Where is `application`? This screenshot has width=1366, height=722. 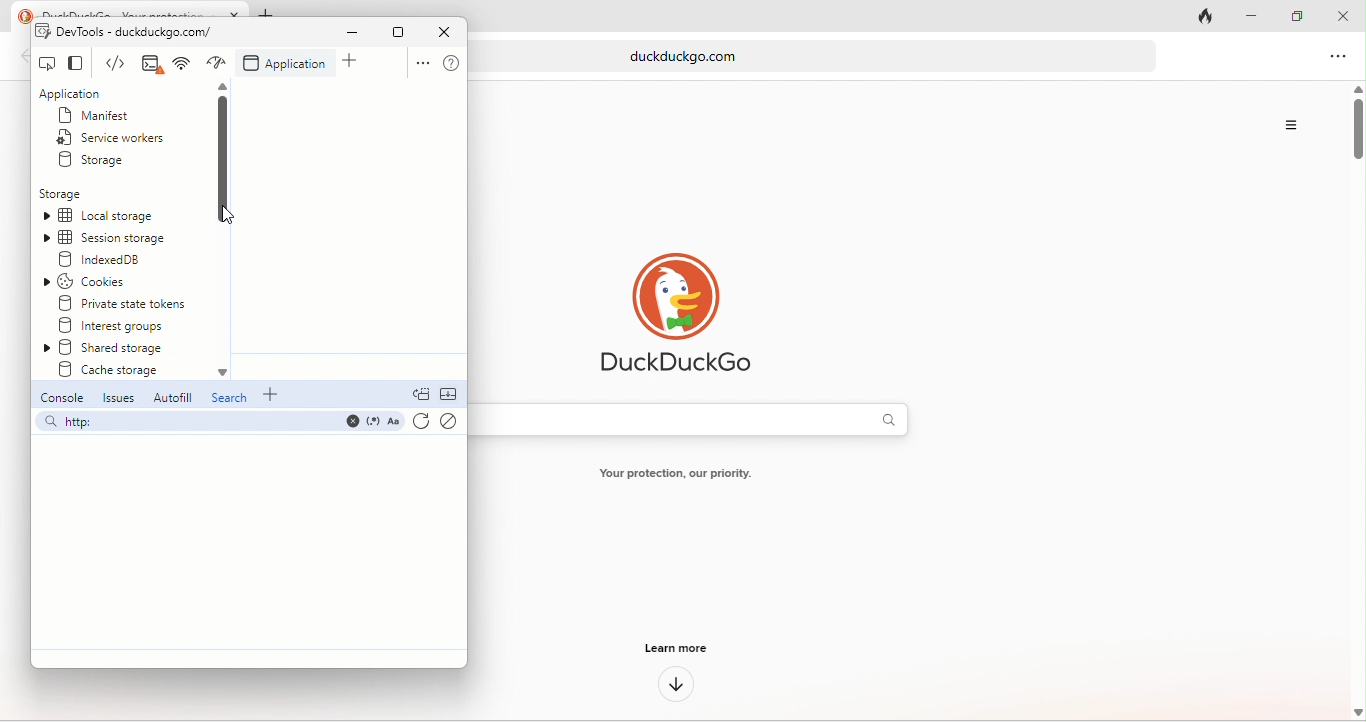
application is located at coordinates (286, 64).